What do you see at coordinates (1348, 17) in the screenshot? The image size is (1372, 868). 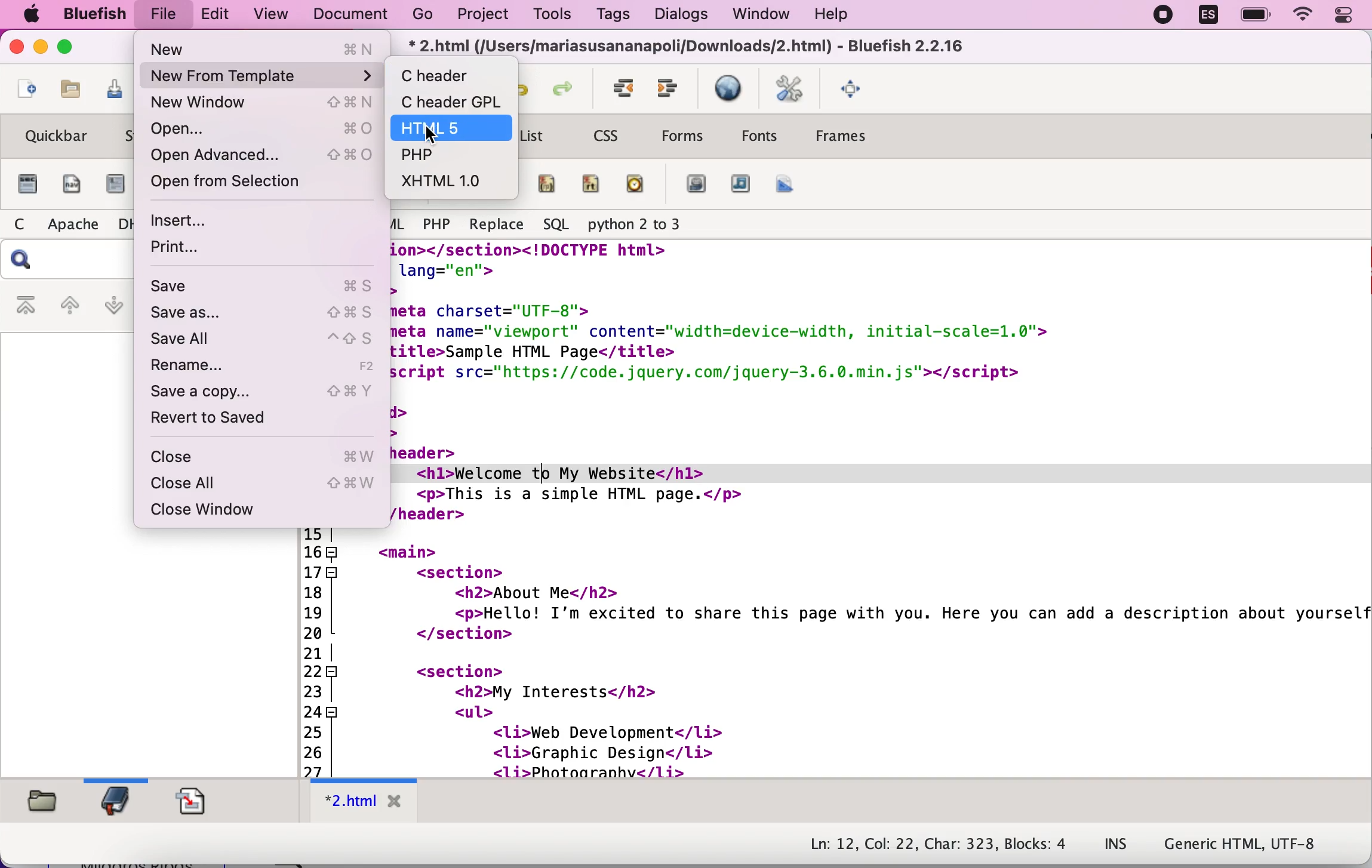 I see `panel control` at bounding box center [1348, 17].